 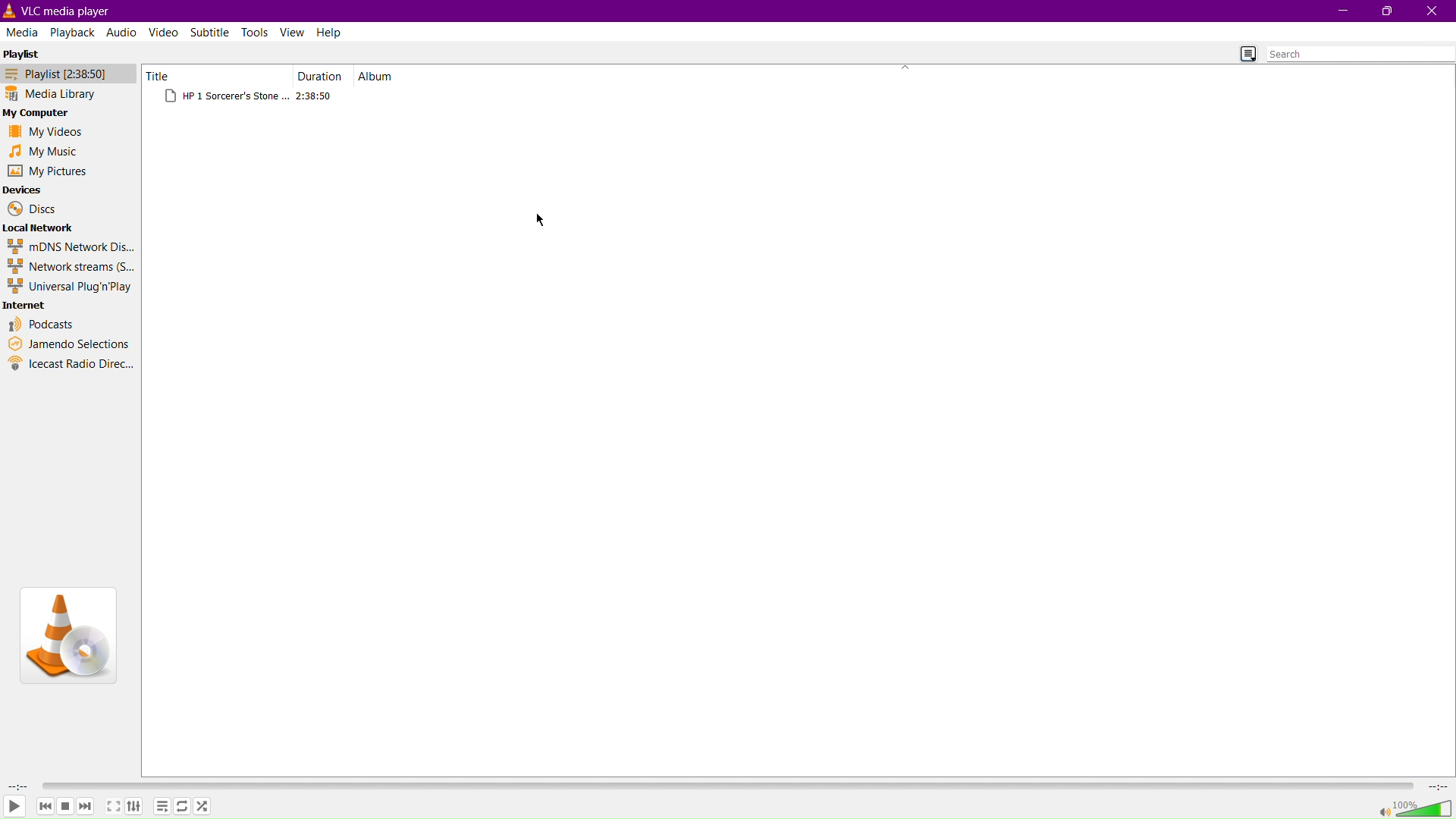 What do you see at coordinates (1243, 52) in the screenshot?
I see `Toggle Playlist view` at bounding box center [1243, 52].